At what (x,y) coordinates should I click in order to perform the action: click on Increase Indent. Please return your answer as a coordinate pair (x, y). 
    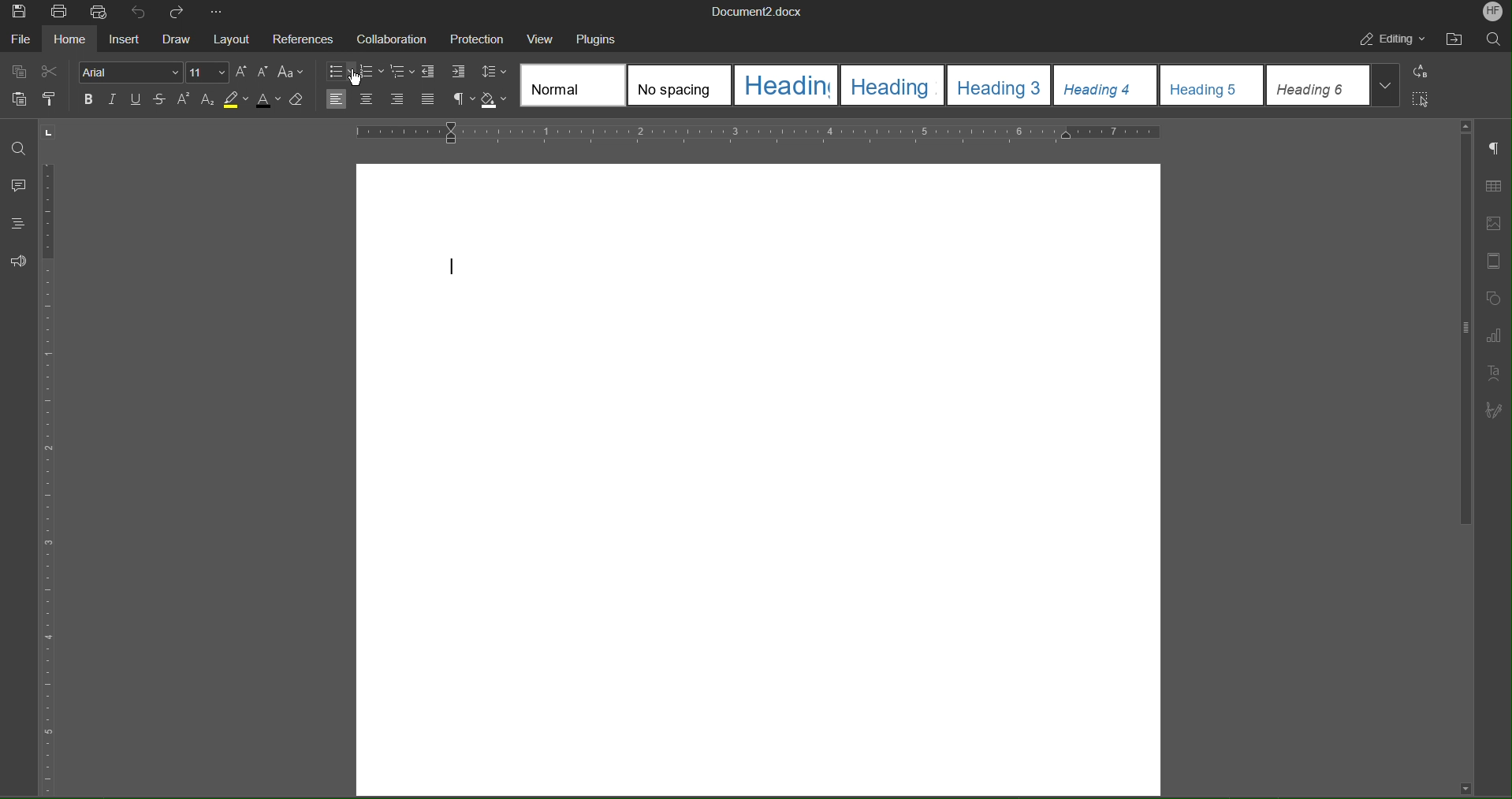
    Looking at the image, I should click on (462, 69).